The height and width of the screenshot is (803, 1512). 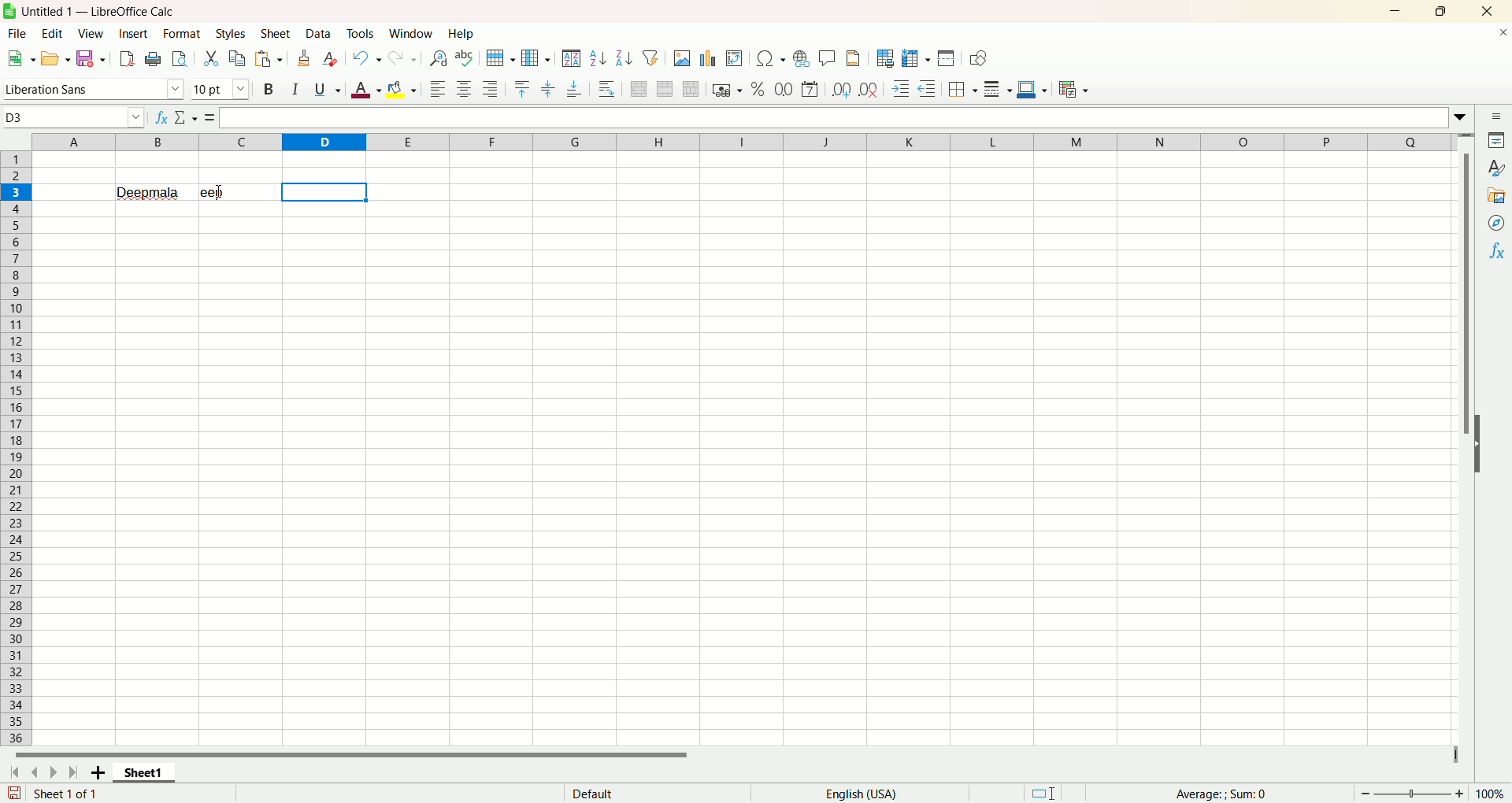 What do you see at coordinates (624, 56) in the screenshot?
I see `Sort decending` at bounding box center [624, 56].